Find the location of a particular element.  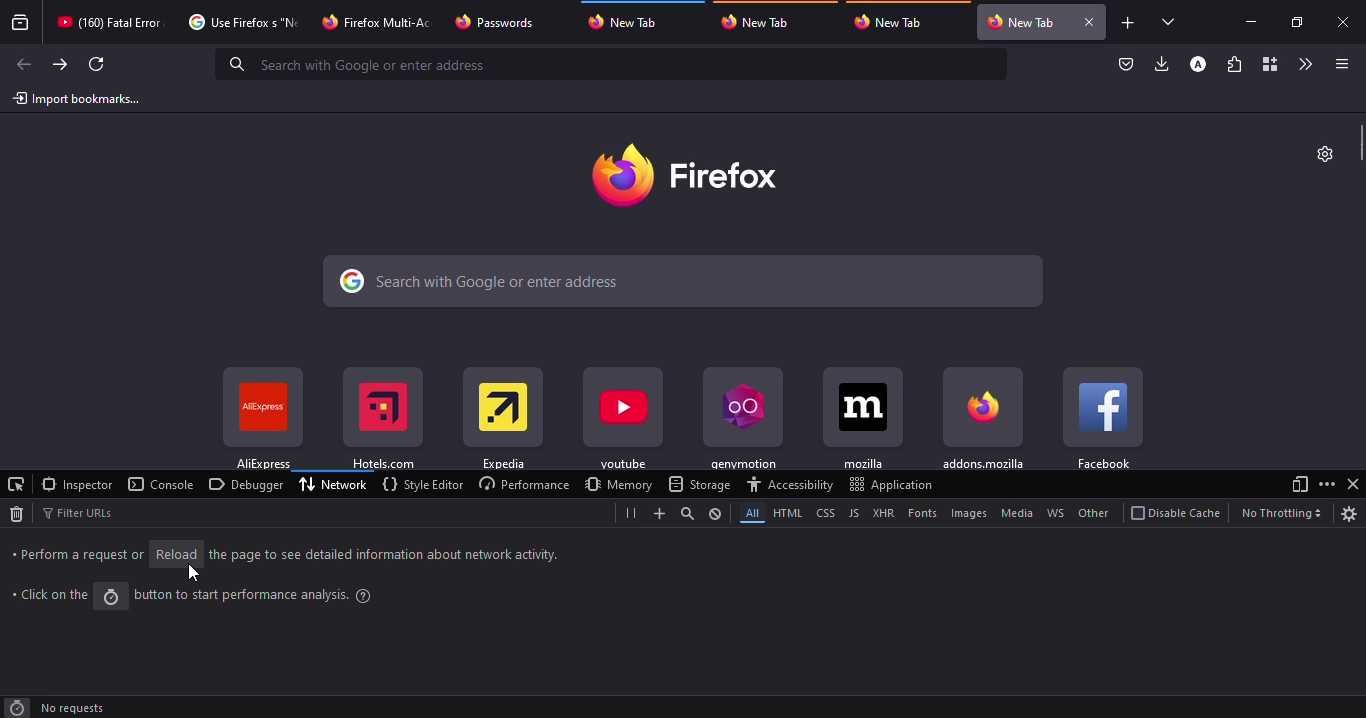

shortcuts is located at coordinates (262, 418).